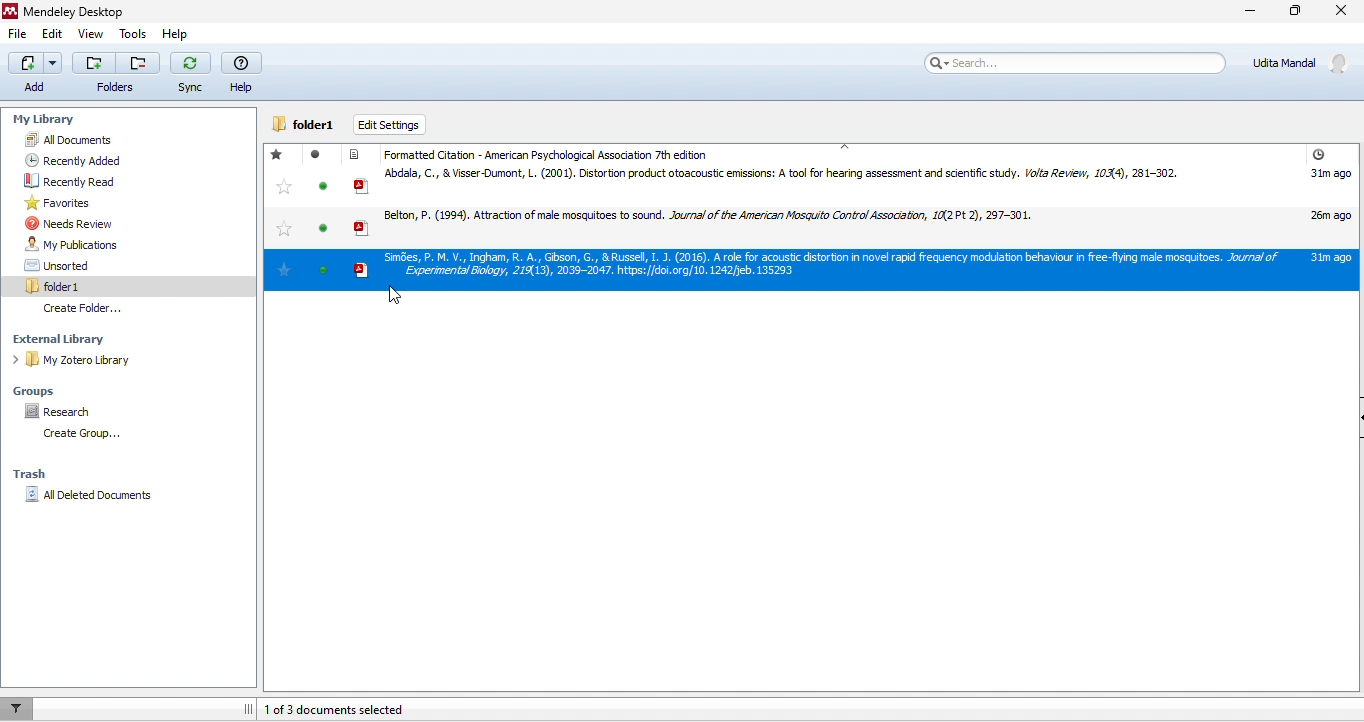 The image size is (1364, 722). Describe the element at coordinates (173, 34) in the screenshot. I see `help` at that location.